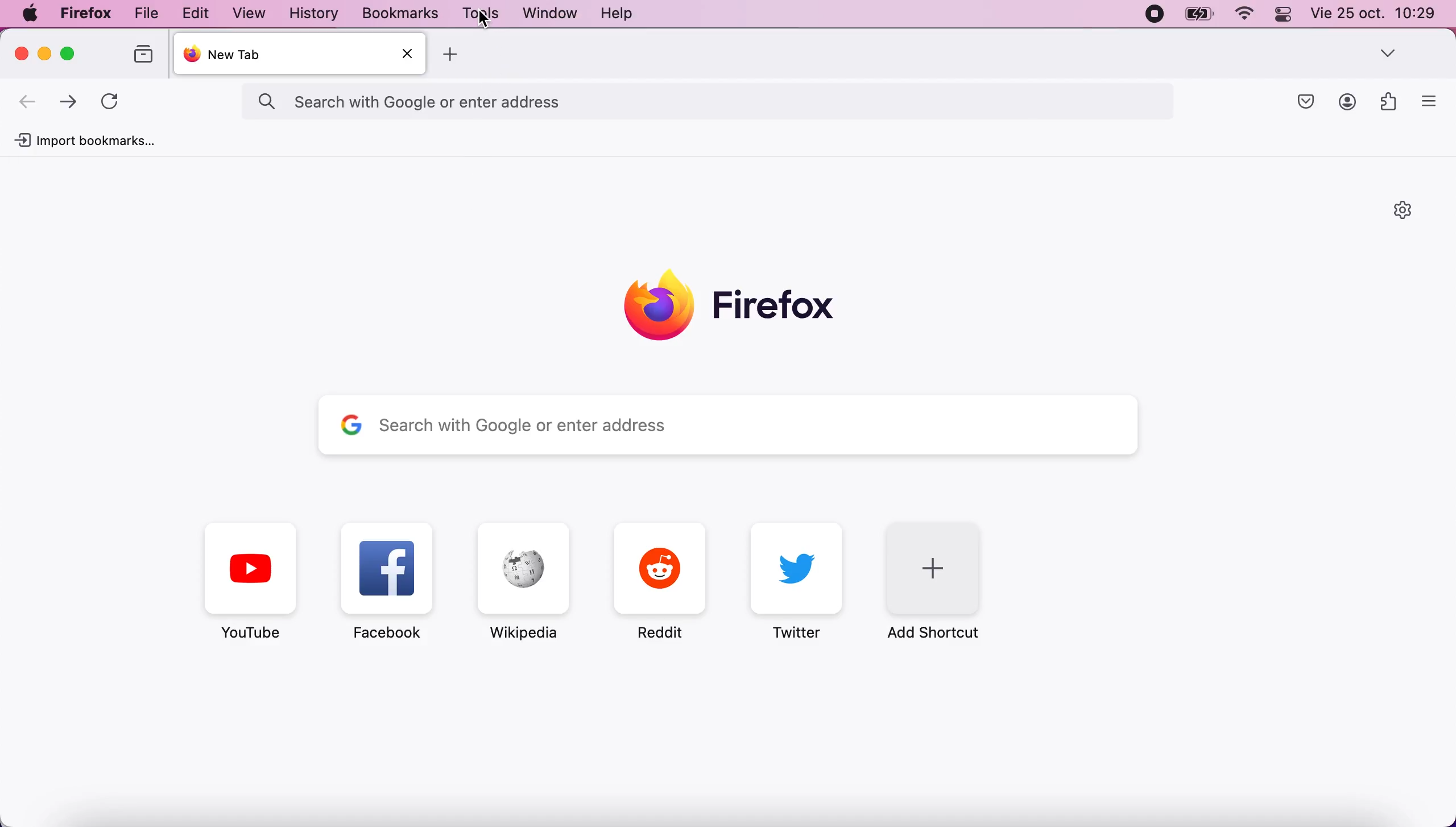  Describe the element at coordinates (1405, 210) in the screenshot. I see `Settings` at that location.